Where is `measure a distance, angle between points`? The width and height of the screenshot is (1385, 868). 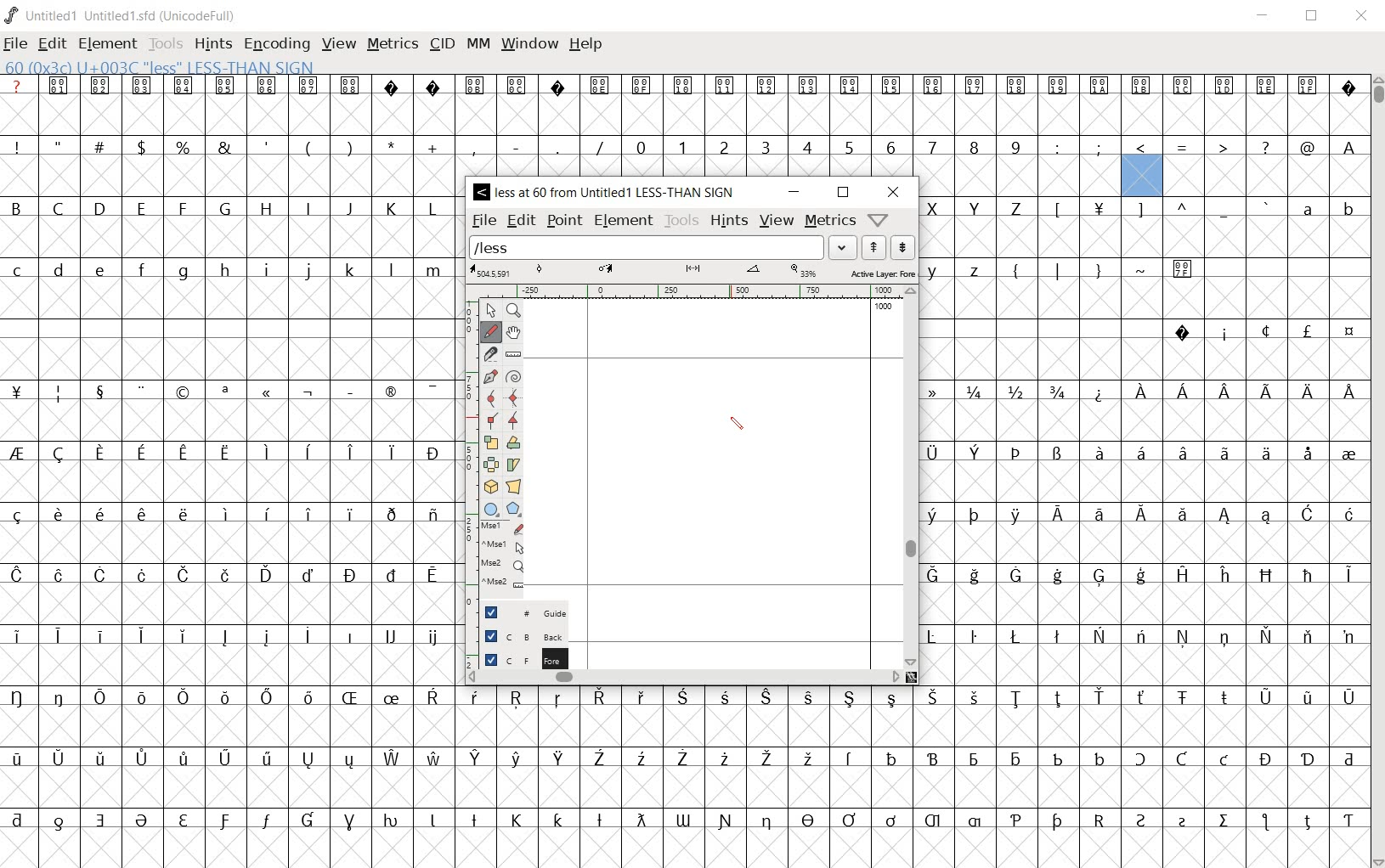
measure a distance, angle between points is located at coordinates (514, 354).